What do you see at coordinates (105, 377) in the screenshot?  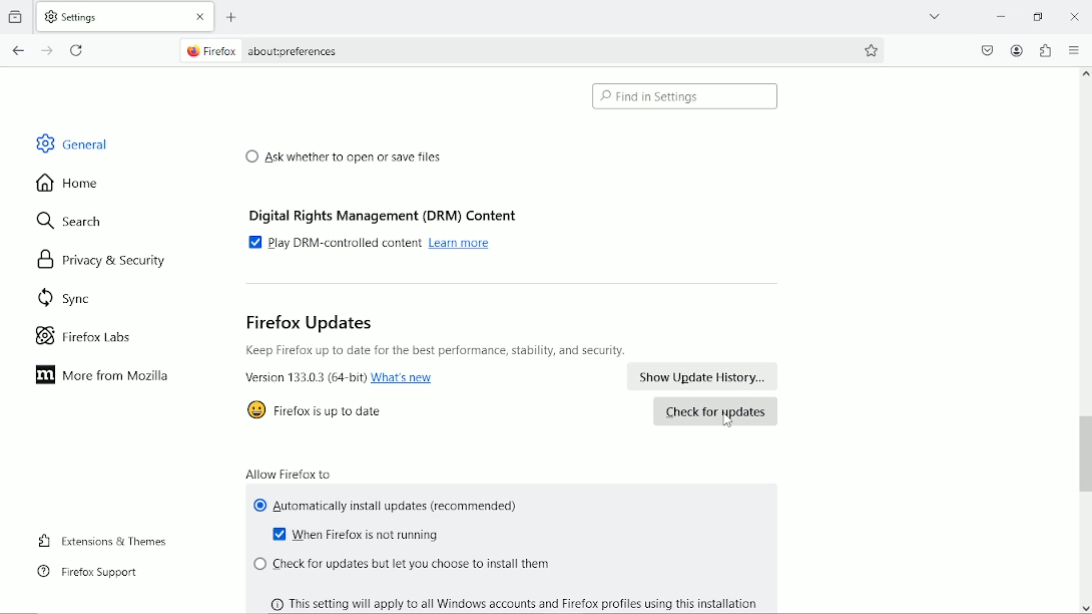 I see `more from mozilla` at bounding box center [105, 377].